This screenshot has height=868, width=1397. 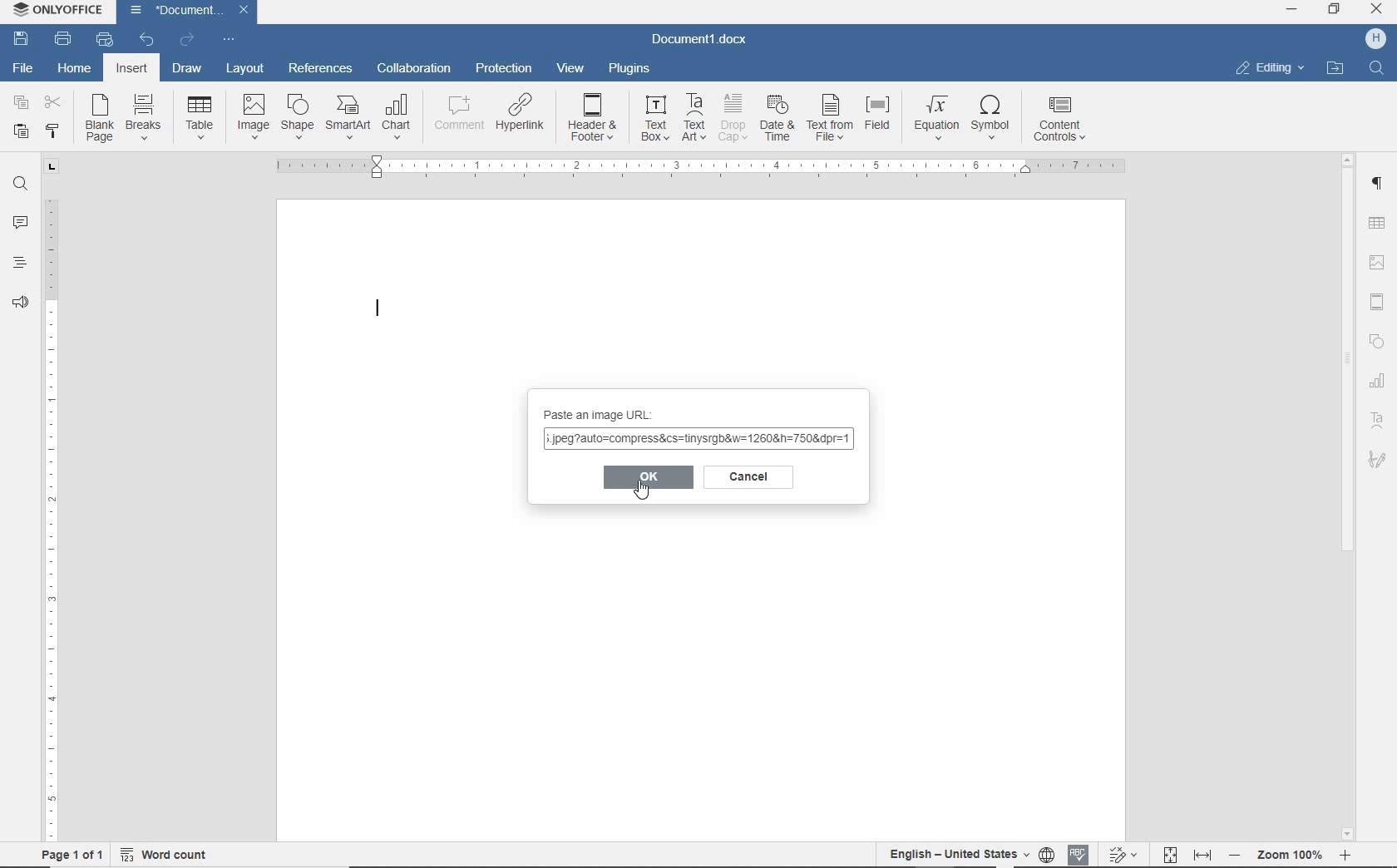 What do you see at coordinates (20, 224) in the screenshot?
I see `comments` at bounding box center [20, 224].